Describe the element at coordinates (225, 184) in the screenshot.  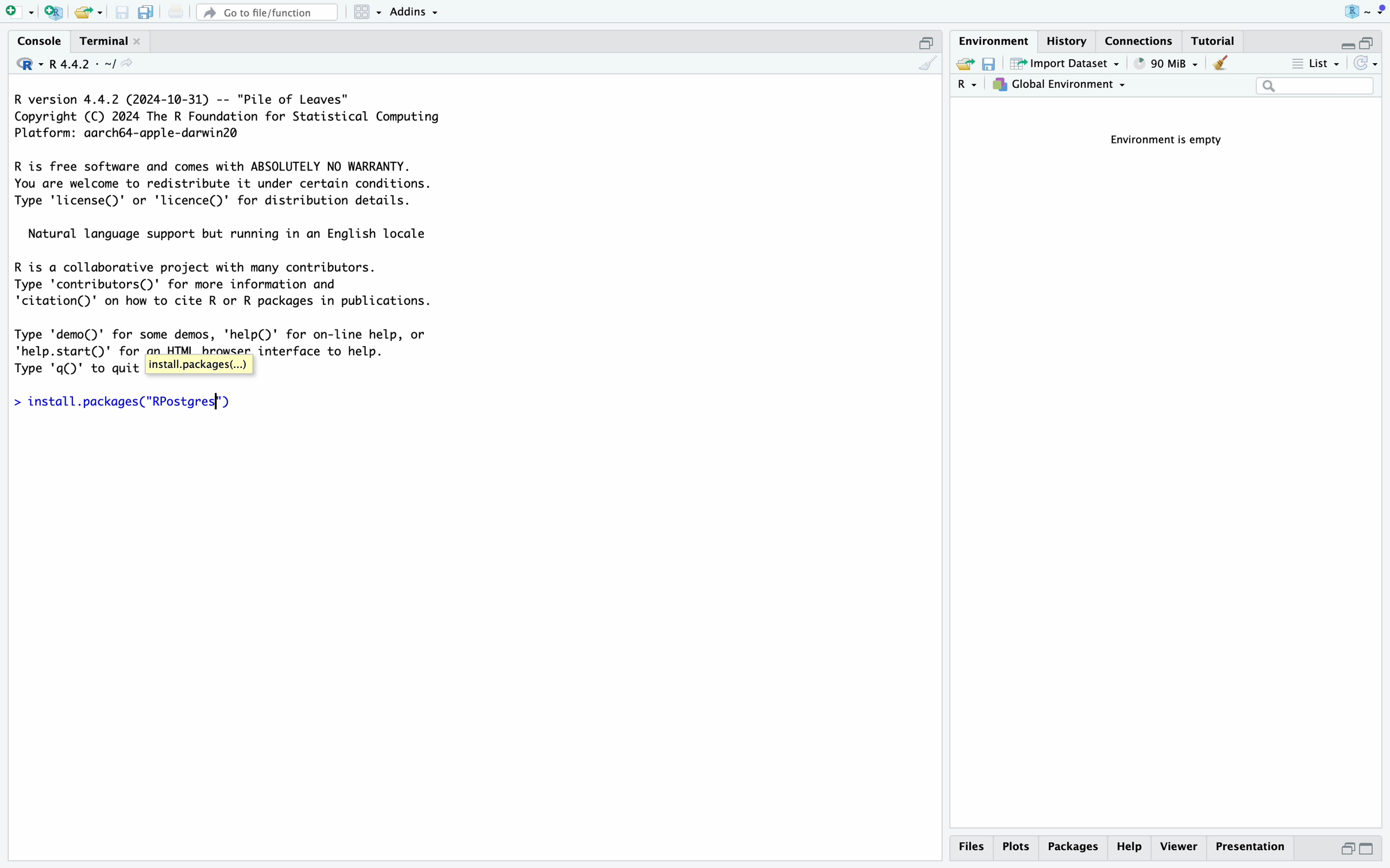
I see `description of R and license` at that location.